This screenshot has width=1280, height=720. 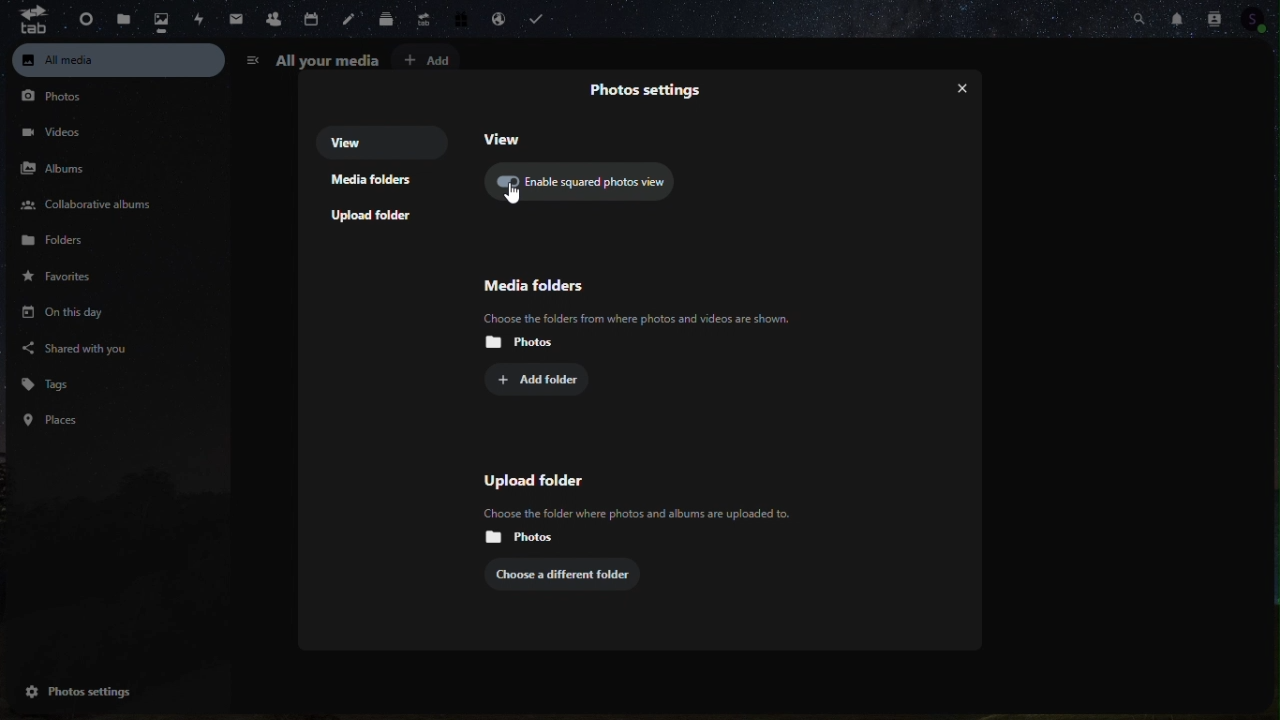 What do you see at coordinates (463, 19) in the screenshot?
I see `free trial` at bounding box center [463, 19].